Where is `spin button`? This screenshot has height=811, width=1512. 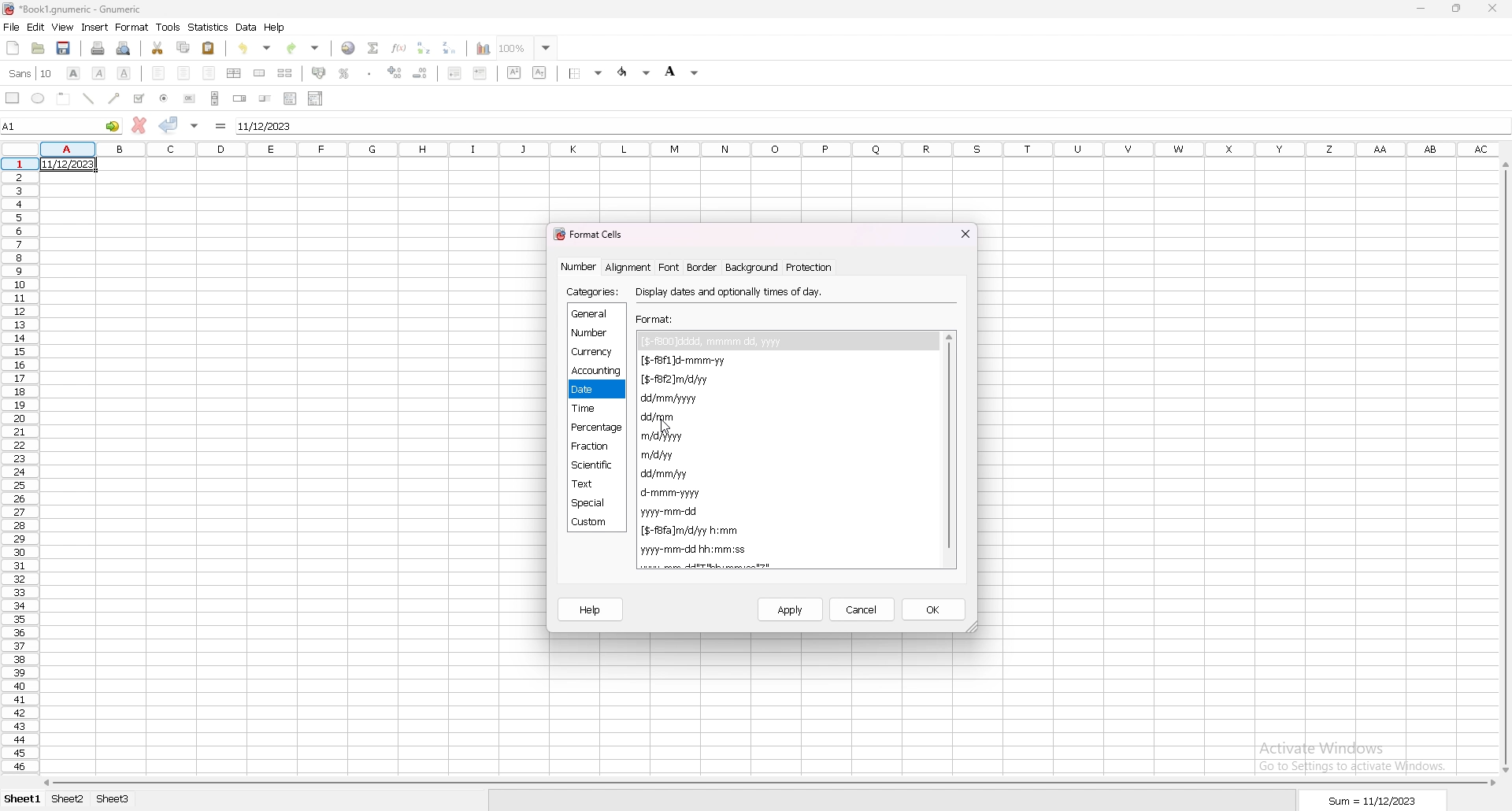 spin button is located at coordinates (241, 98).